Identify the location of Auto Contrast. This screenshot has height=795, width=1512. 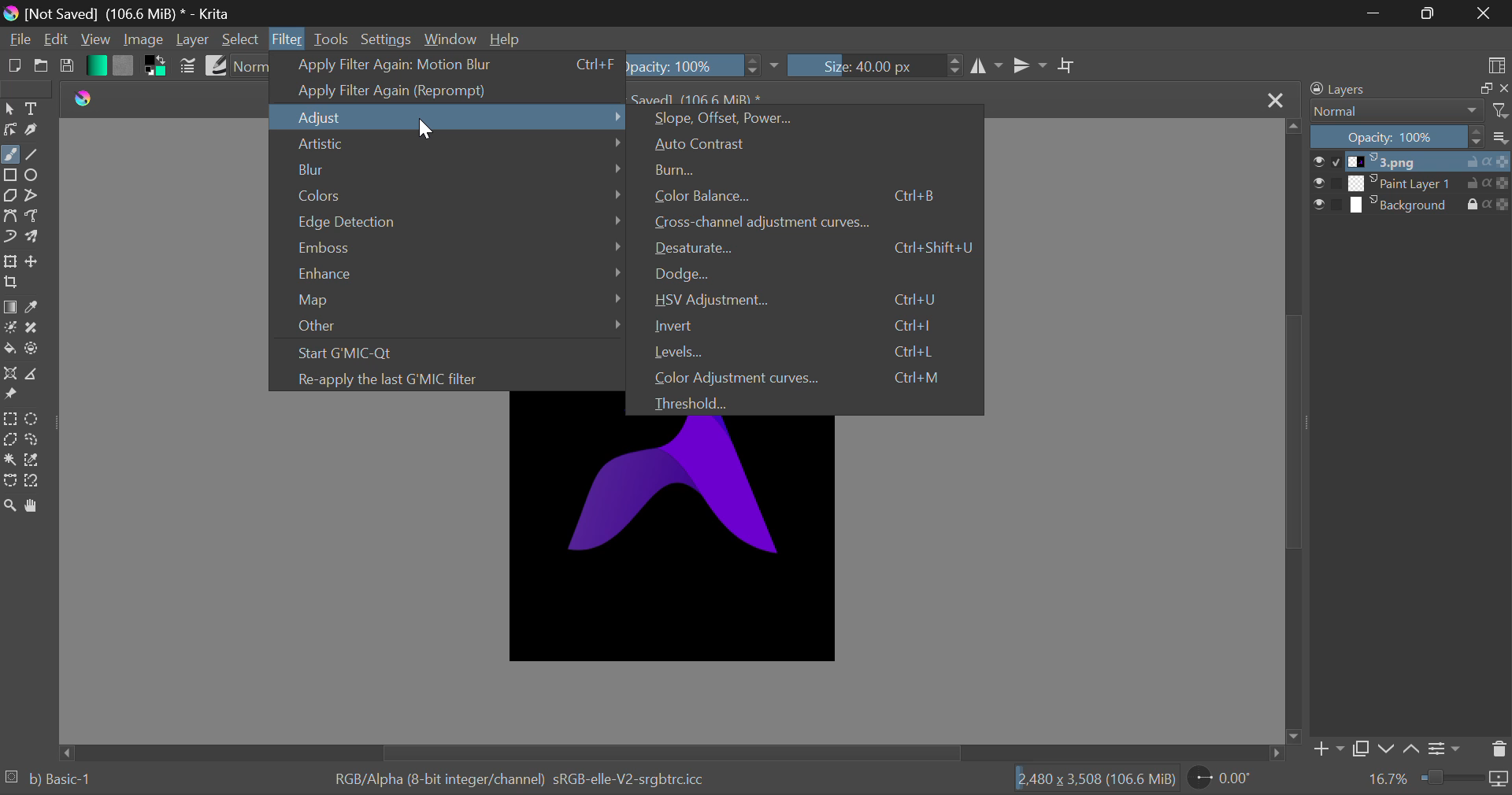
(810, 143).